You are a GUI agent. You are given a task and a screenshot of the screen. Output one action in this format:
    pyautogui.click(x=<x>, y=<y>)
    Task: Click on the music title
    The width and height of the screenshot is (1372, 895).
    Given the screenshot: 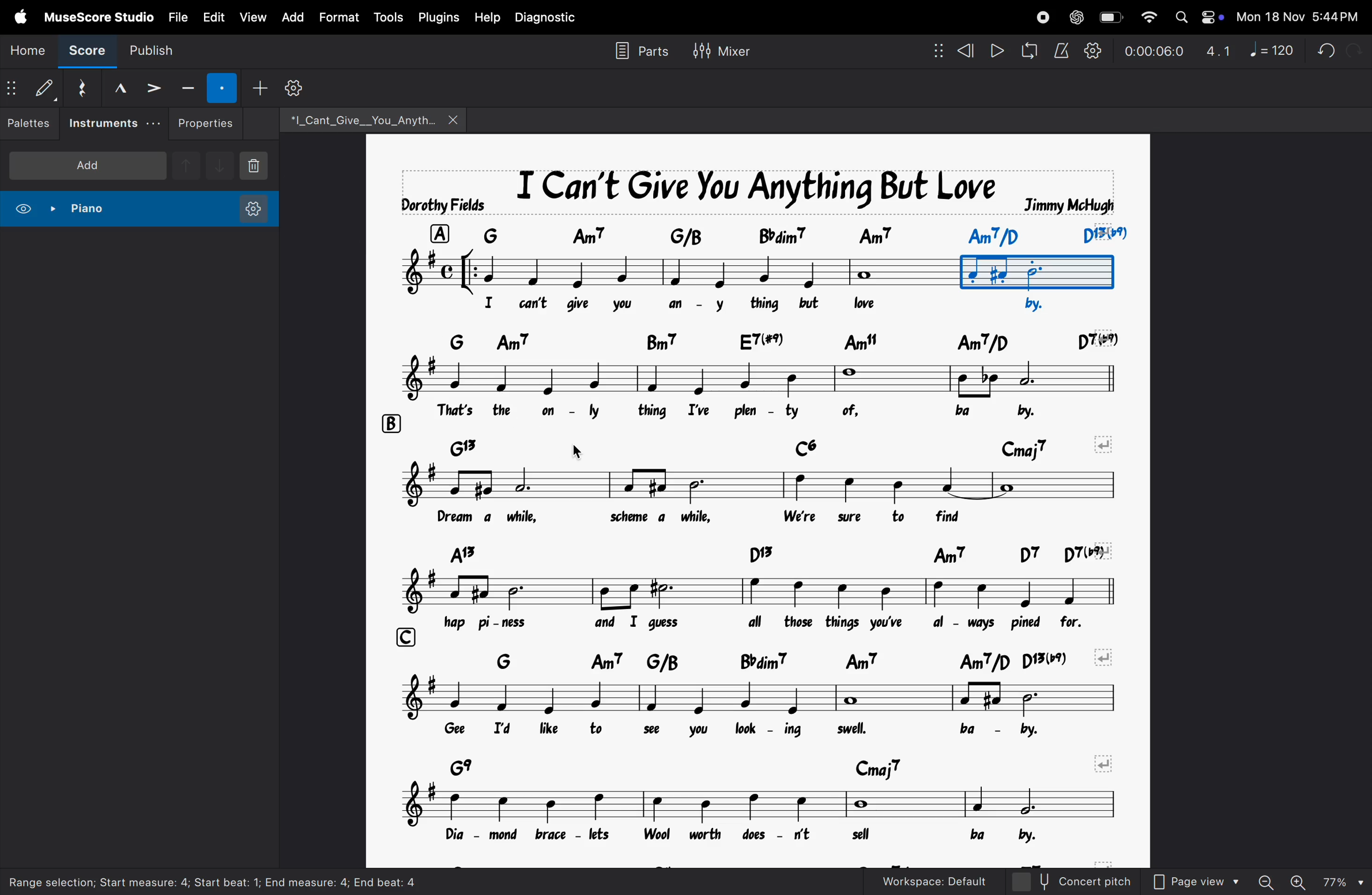 What is the action you would take?
    pyautogui.click(x=759, y=189)
    